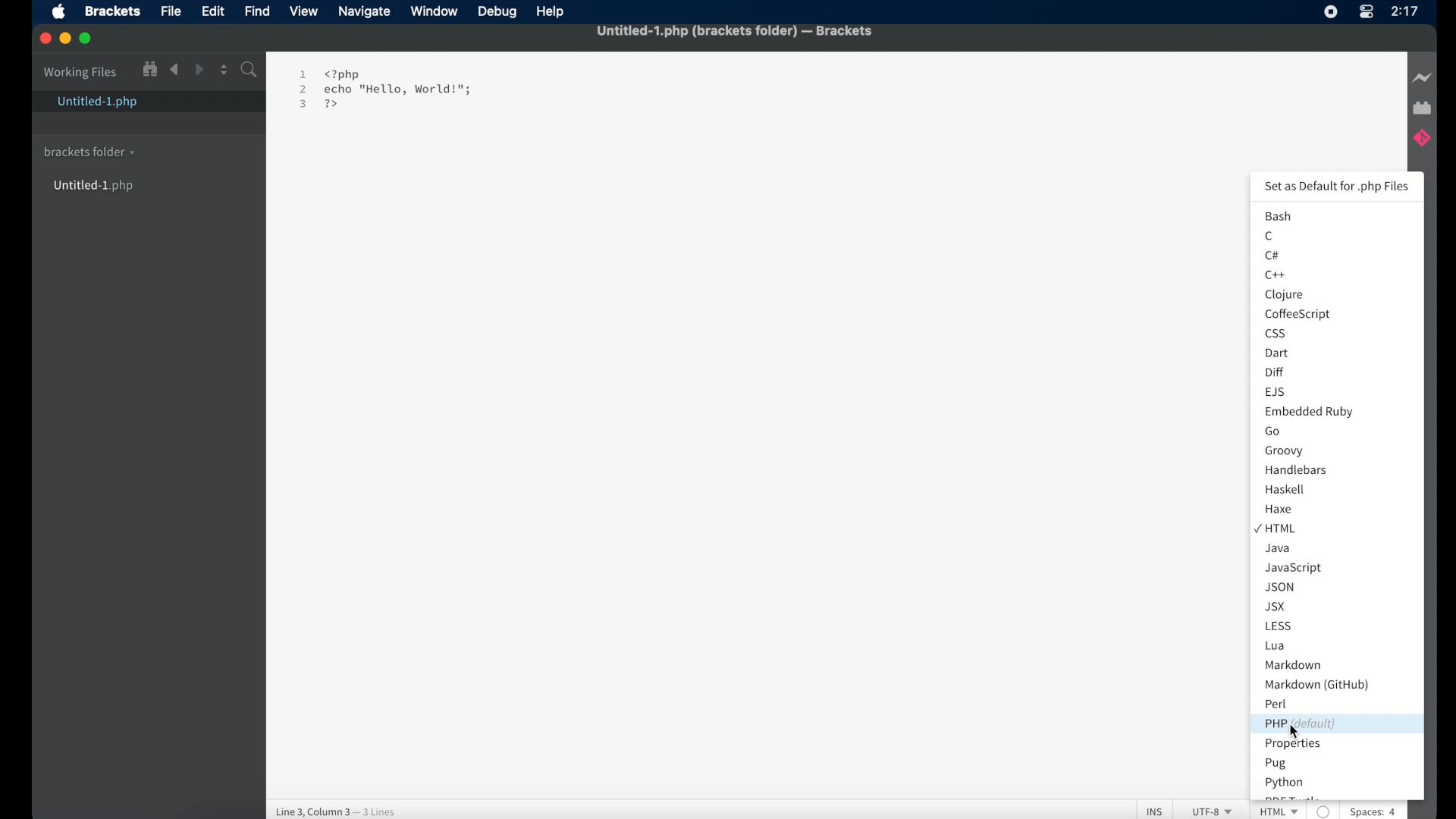  What do you see at coordinates (1284, 452) in the screenshot?
I see `groovy` at bounding box center [1284, 452].